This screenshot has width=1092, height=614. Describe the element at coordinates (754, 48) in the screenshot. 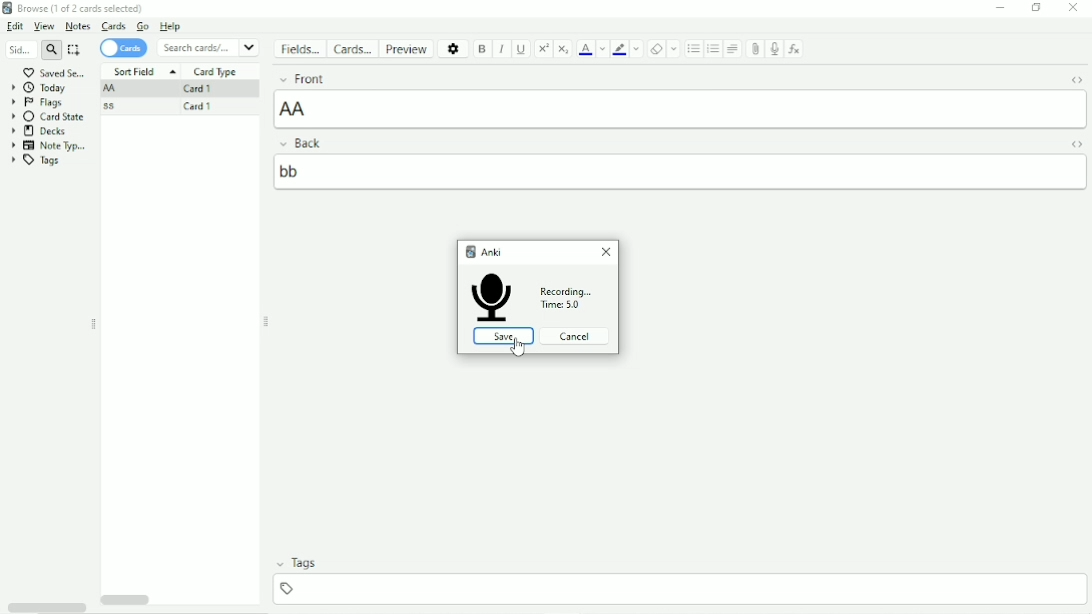

I see `Attach picture/audio/video` at that location.